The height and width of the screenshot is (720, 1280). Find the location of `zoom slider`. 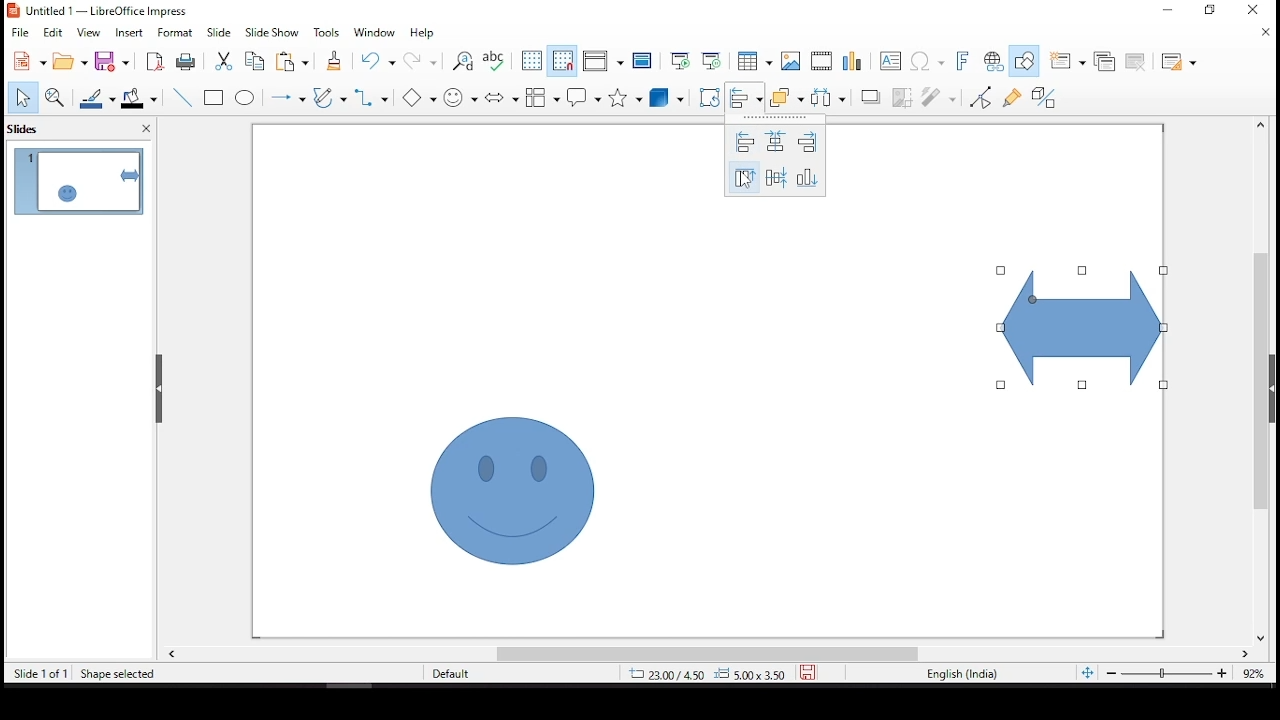

zoom slider is located at coordinates (1165, 675).